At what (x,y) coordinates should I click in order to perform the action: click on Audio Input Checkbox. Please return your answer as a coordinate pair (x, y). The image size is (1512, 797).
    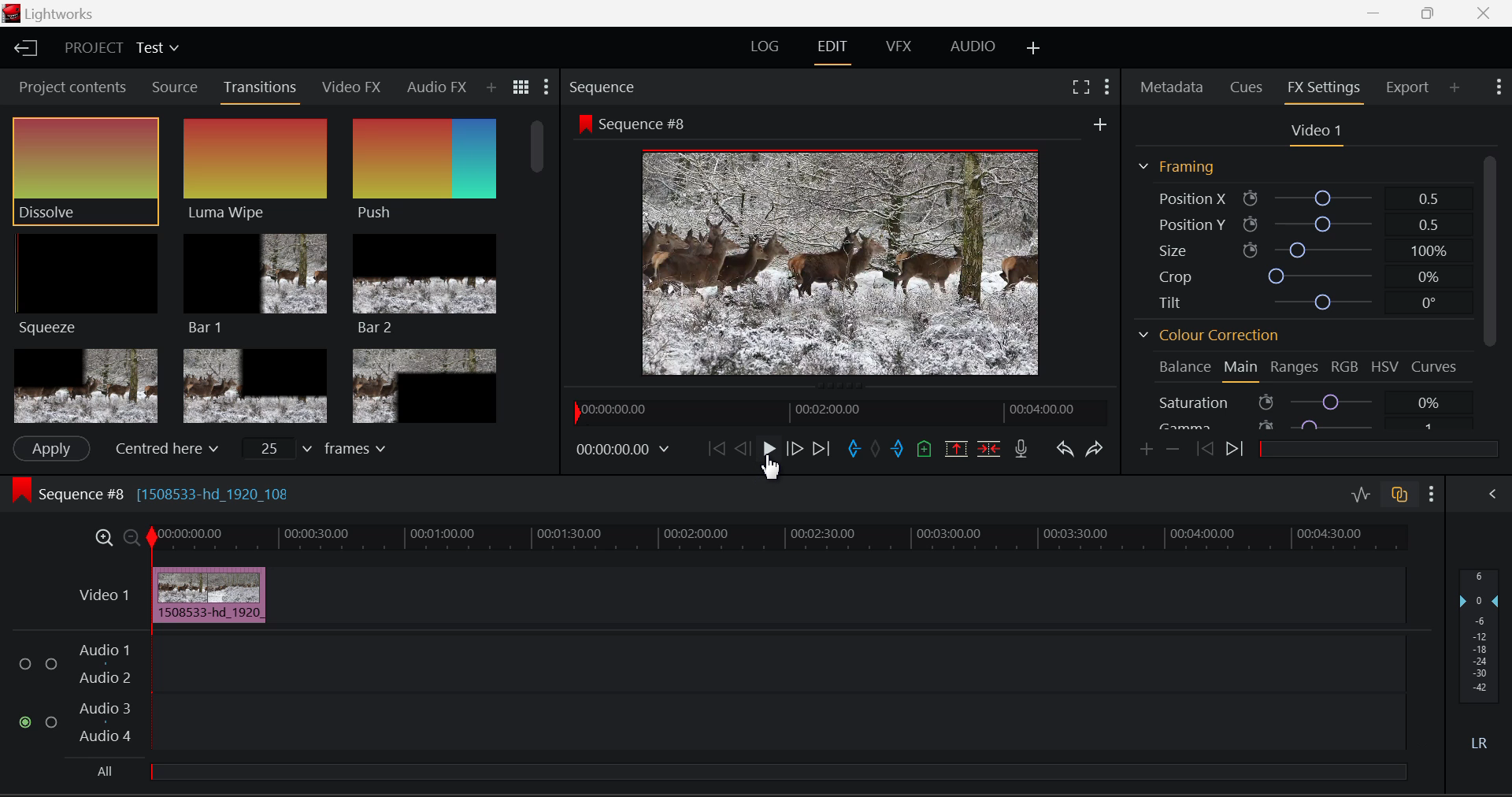
    Looking at the image, I should click on (52, 721).